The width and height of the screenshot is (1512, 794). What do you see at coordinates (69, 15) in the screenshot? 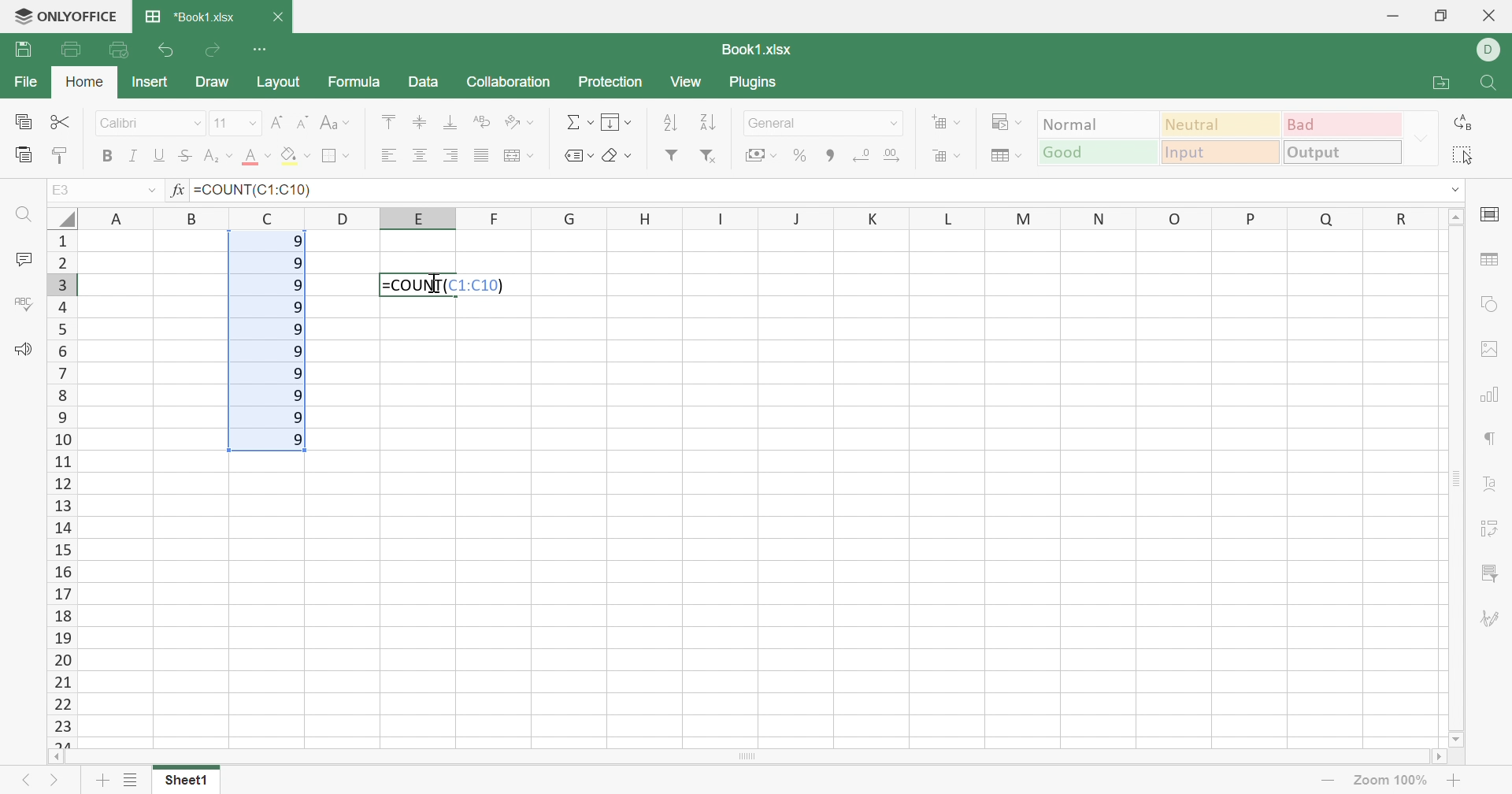
I see `ONLYOFFICE` at bounding box center [69, 15].